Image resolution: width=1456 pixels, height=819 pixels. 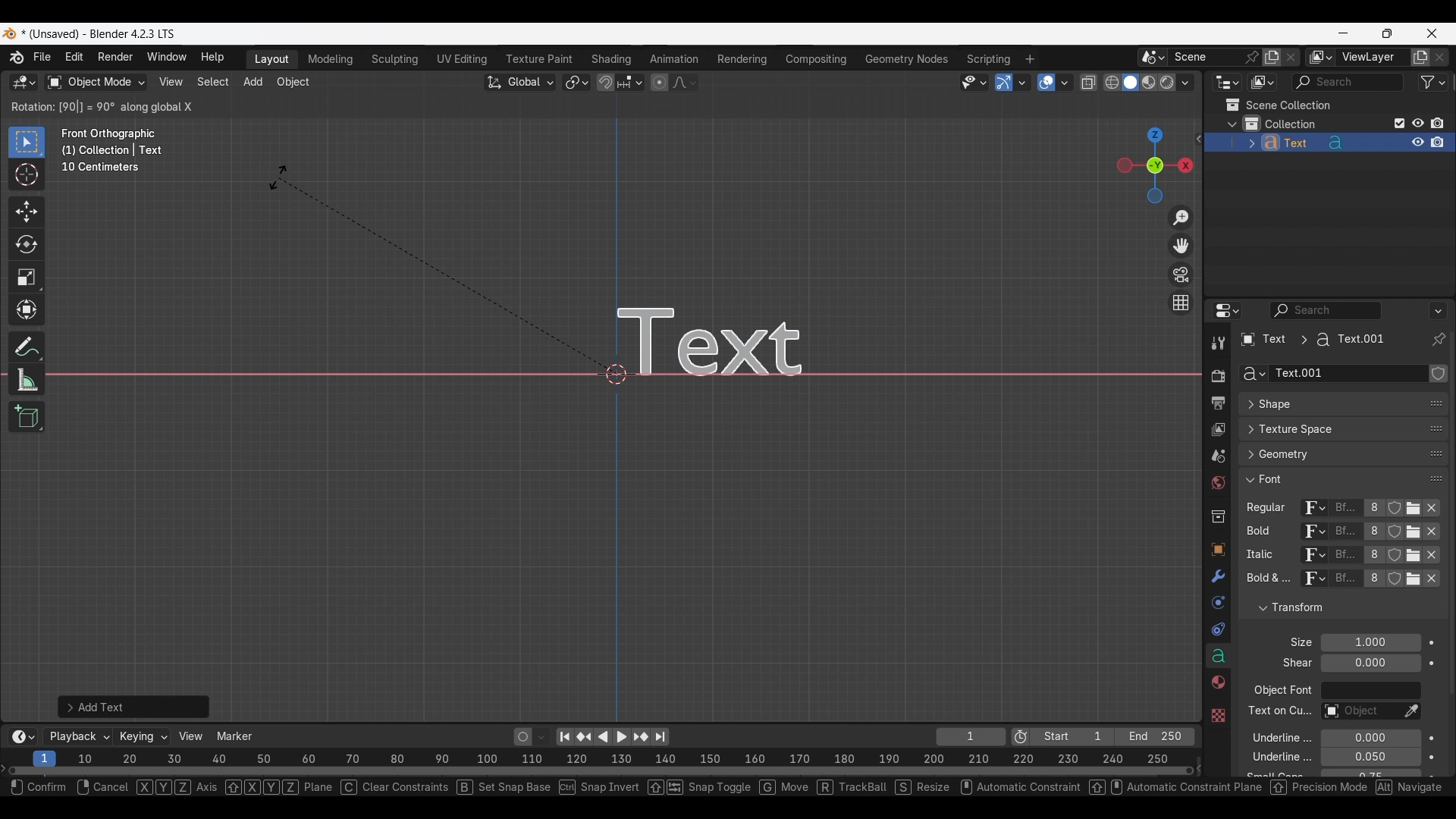 I want to click on Data, current selection, so click(x=1218, y=656).